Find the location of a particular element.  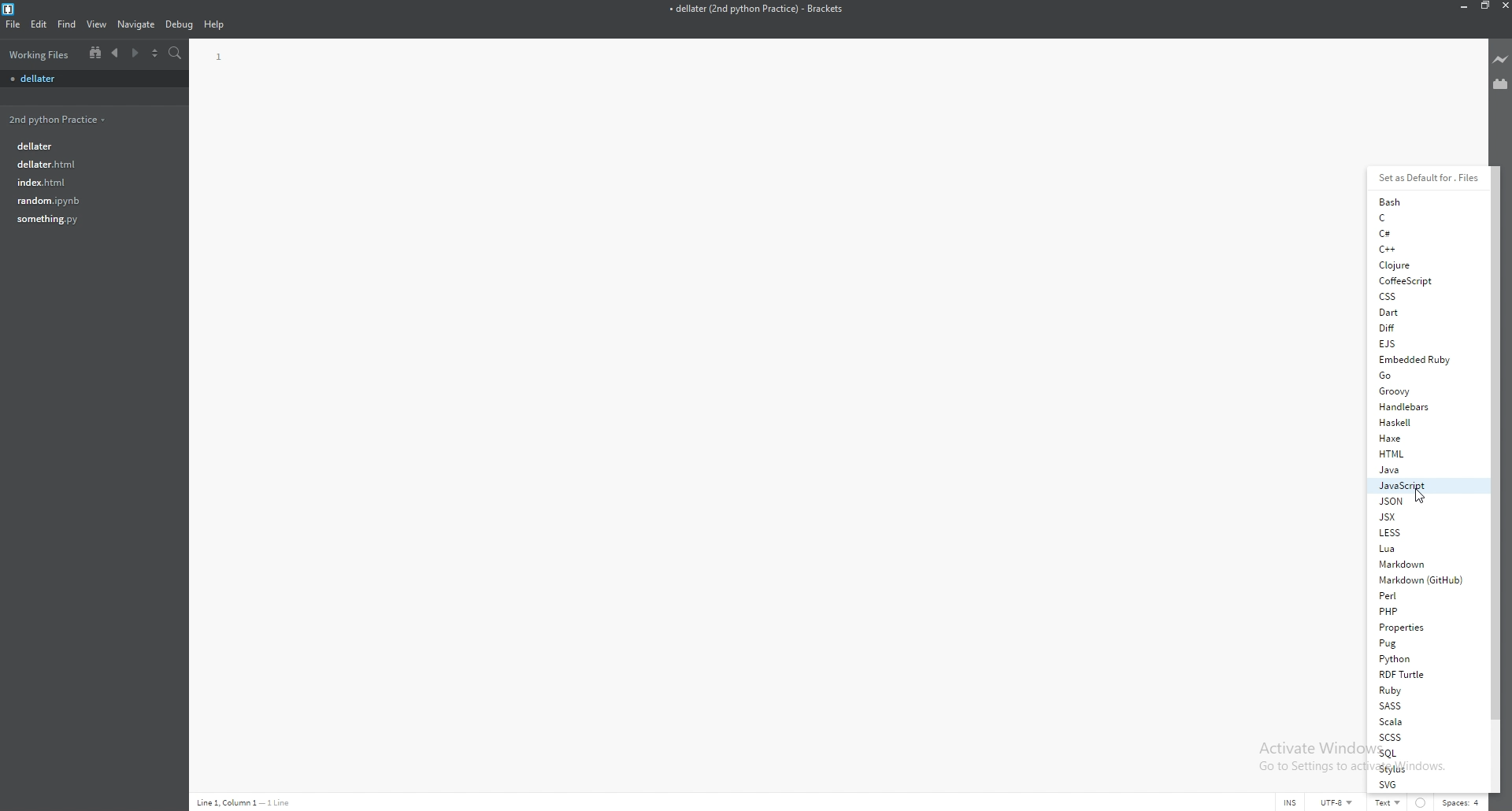

navigate is located at coordinates (136, 24).